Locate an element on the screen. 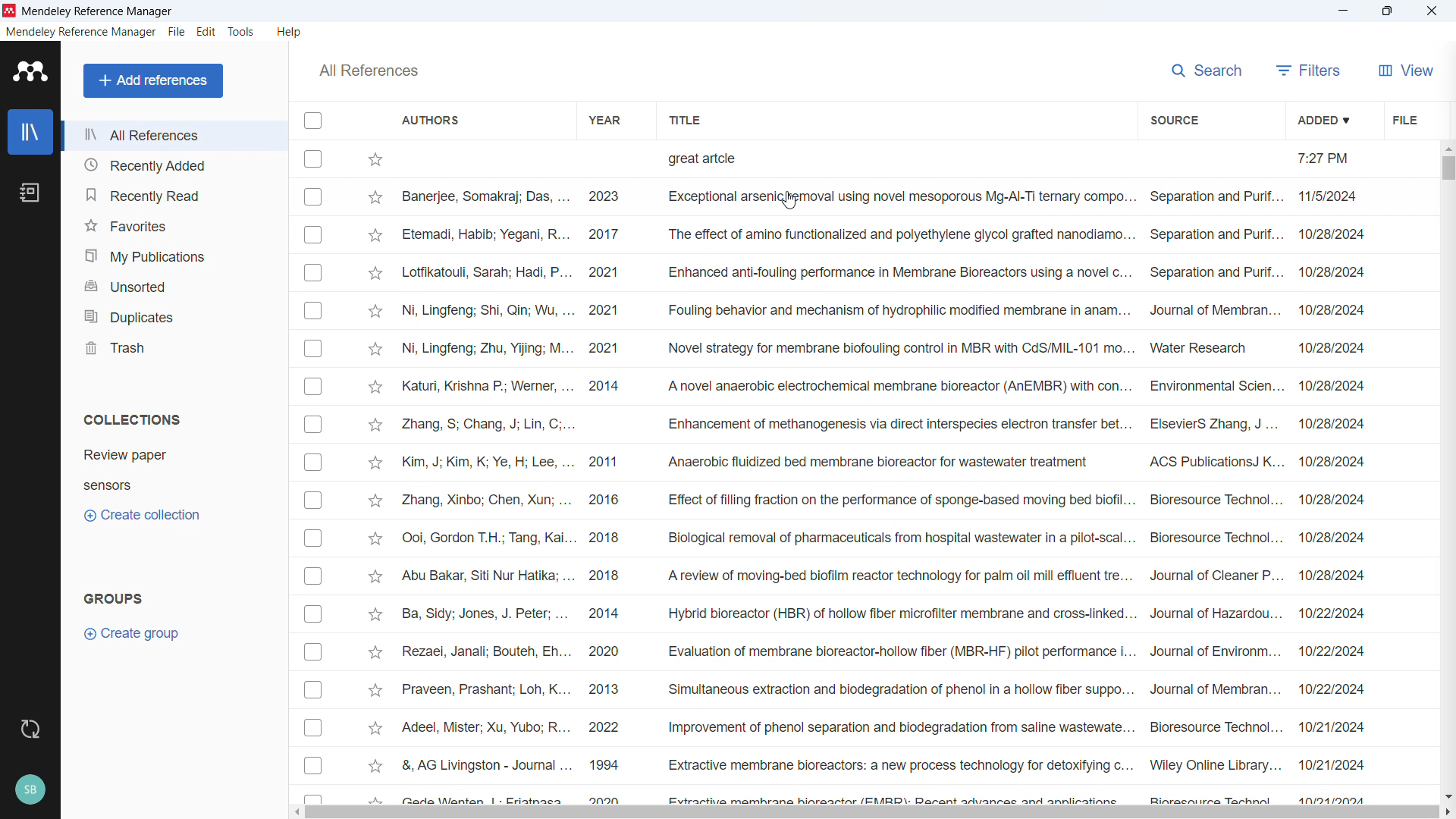 The image size is (1456, 819). help is located at coordinates (290, 33).